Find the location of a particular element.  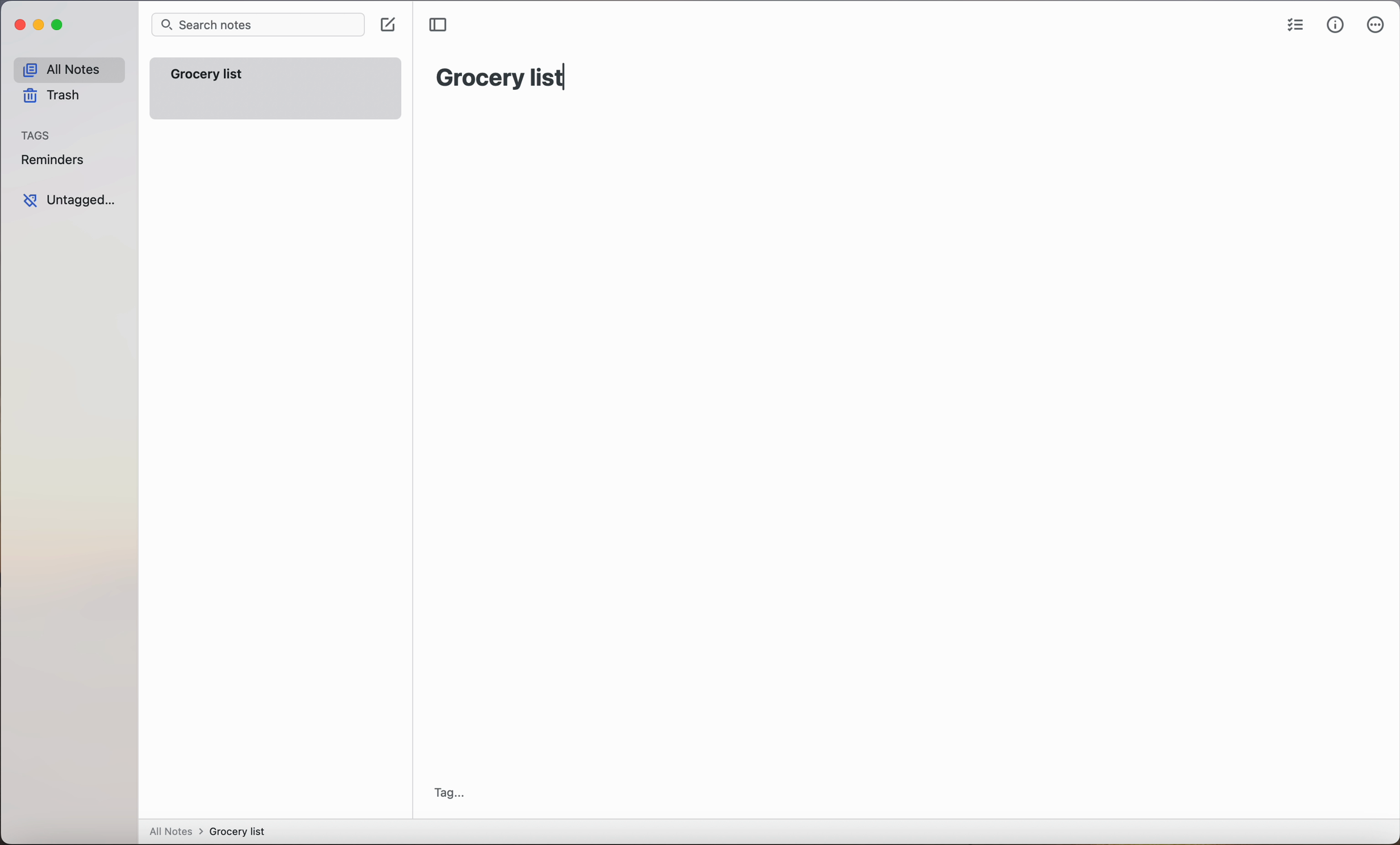

search bar is located at coordinates (256, 26).